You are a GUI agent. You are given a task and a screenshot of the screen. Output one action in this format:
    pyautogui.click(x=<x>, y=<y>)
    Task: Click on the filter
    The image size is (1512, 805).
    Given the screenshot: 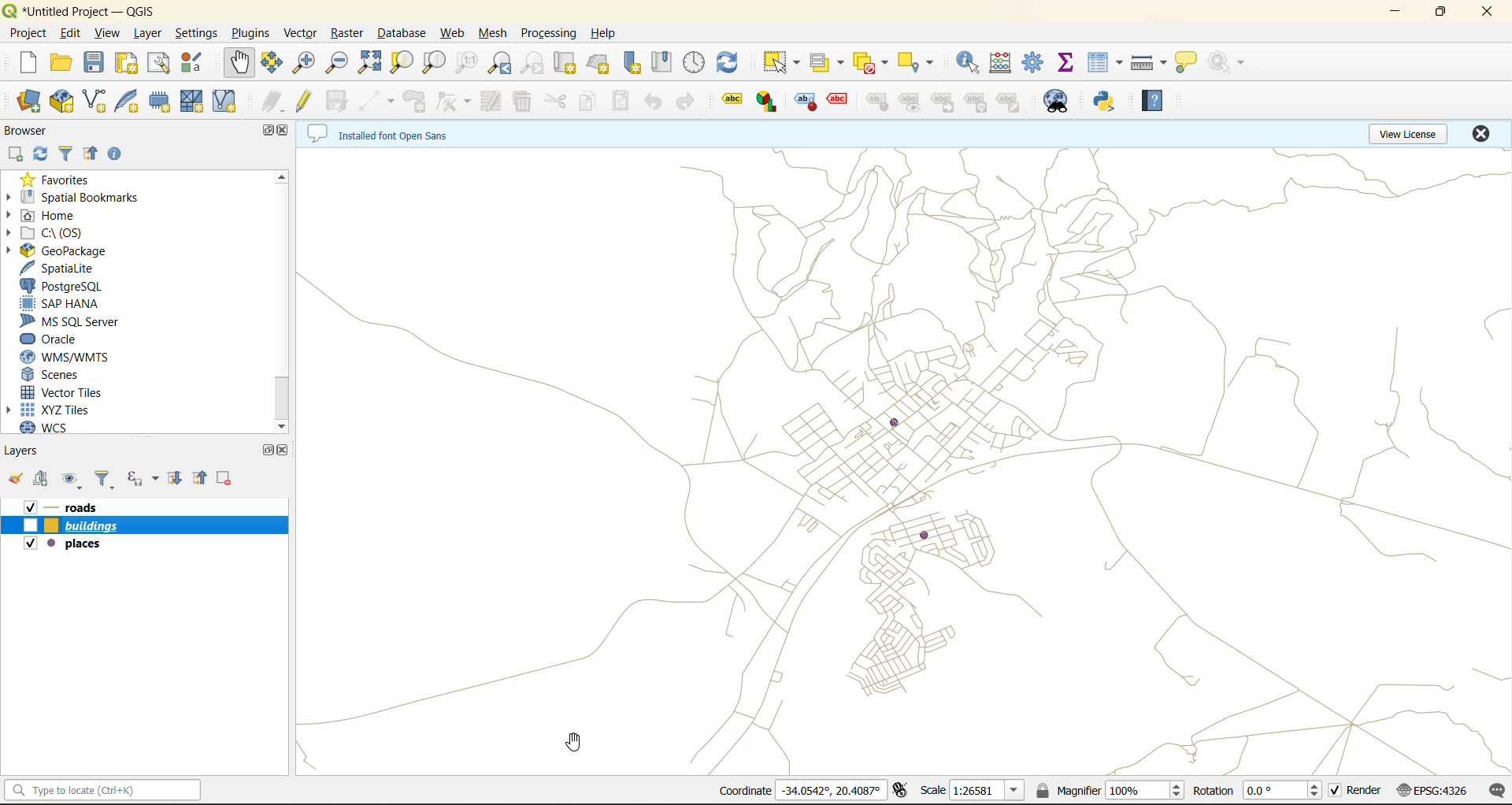 What is the action you would take?
    pyautogui.click(x=66, y=151)
    